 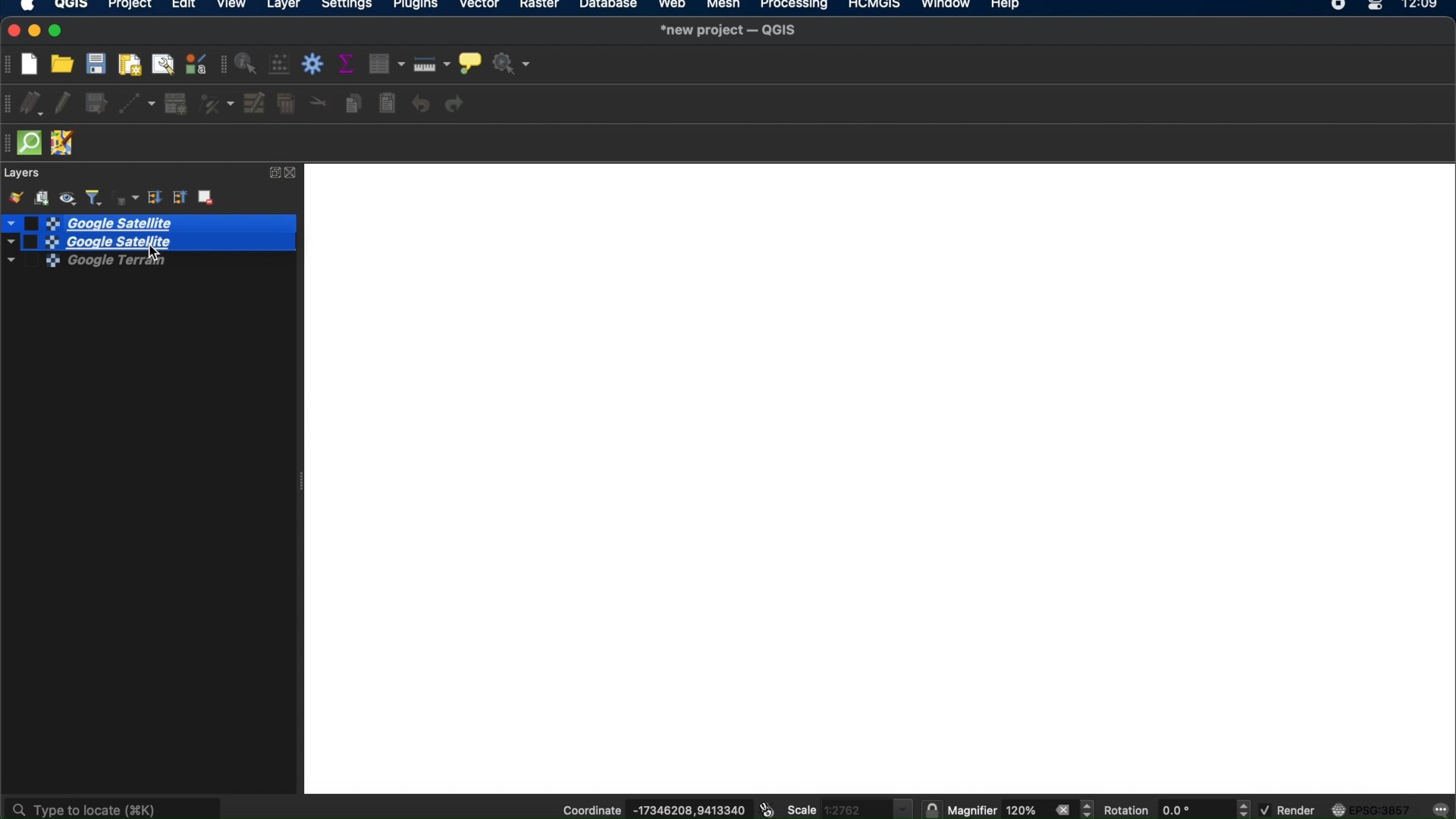 I want to click on new project, so click(x=34, y=62).